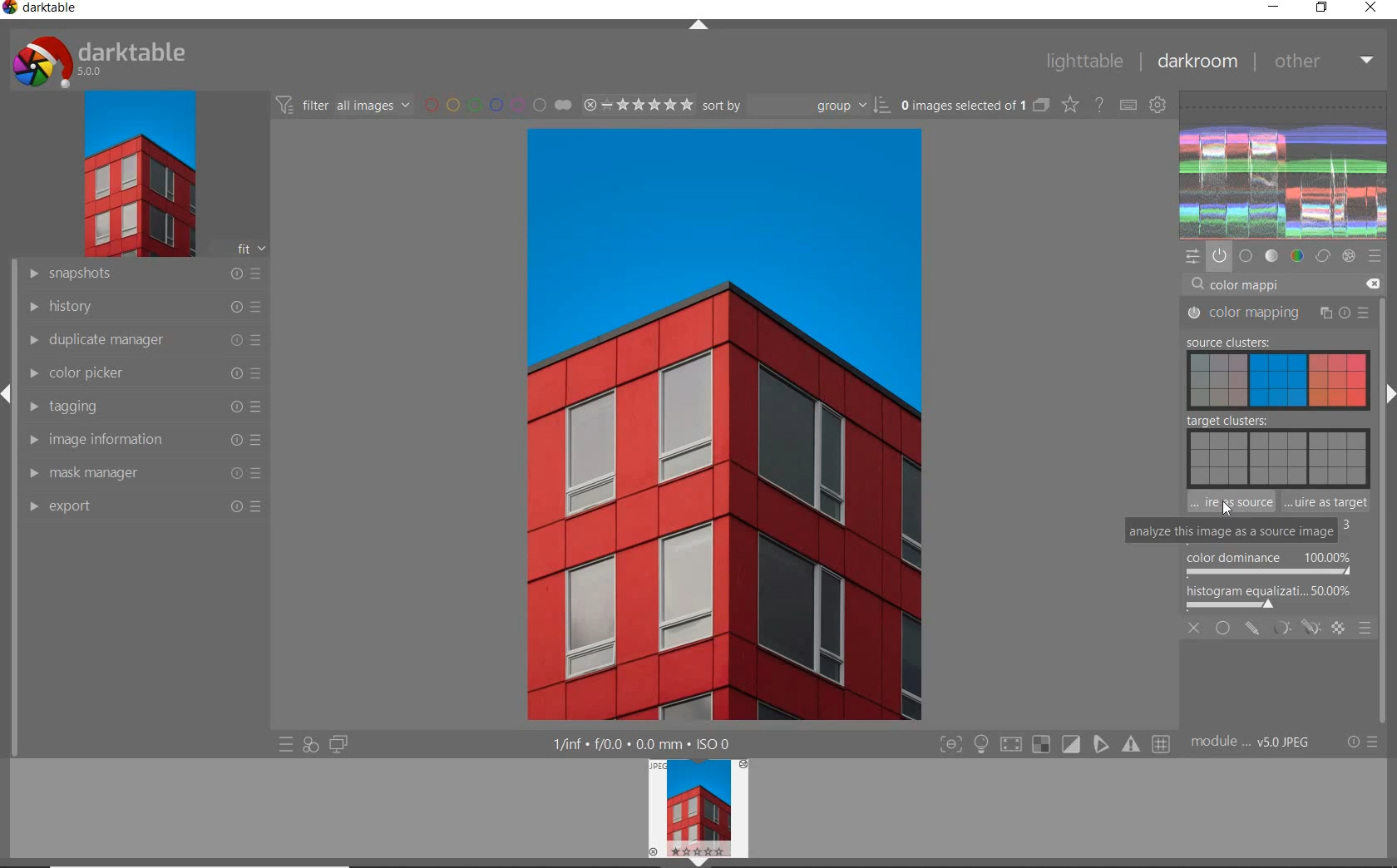 The image size is (1397, 868). Describe the element at coordinates (1246, 257) in the screenshot. I see `base` at that location.